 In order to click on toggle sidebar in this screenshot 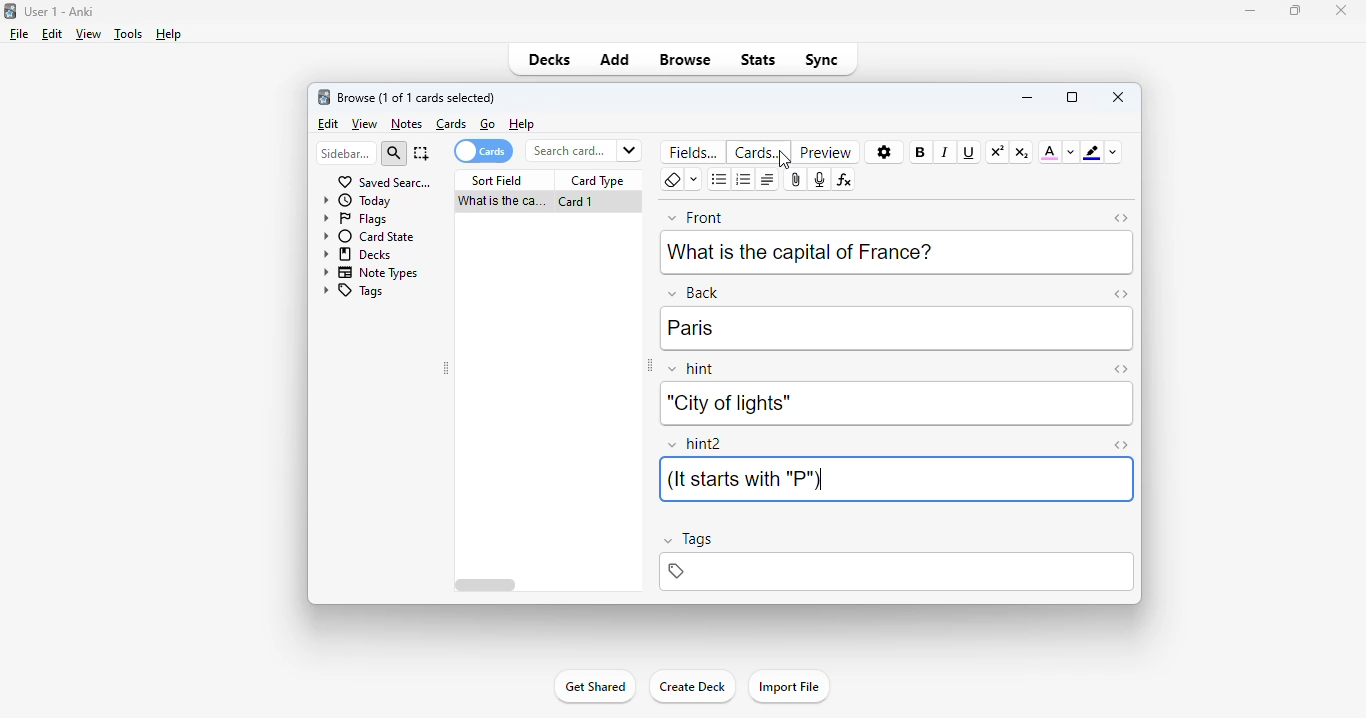, I will do `click(648, 366)`.